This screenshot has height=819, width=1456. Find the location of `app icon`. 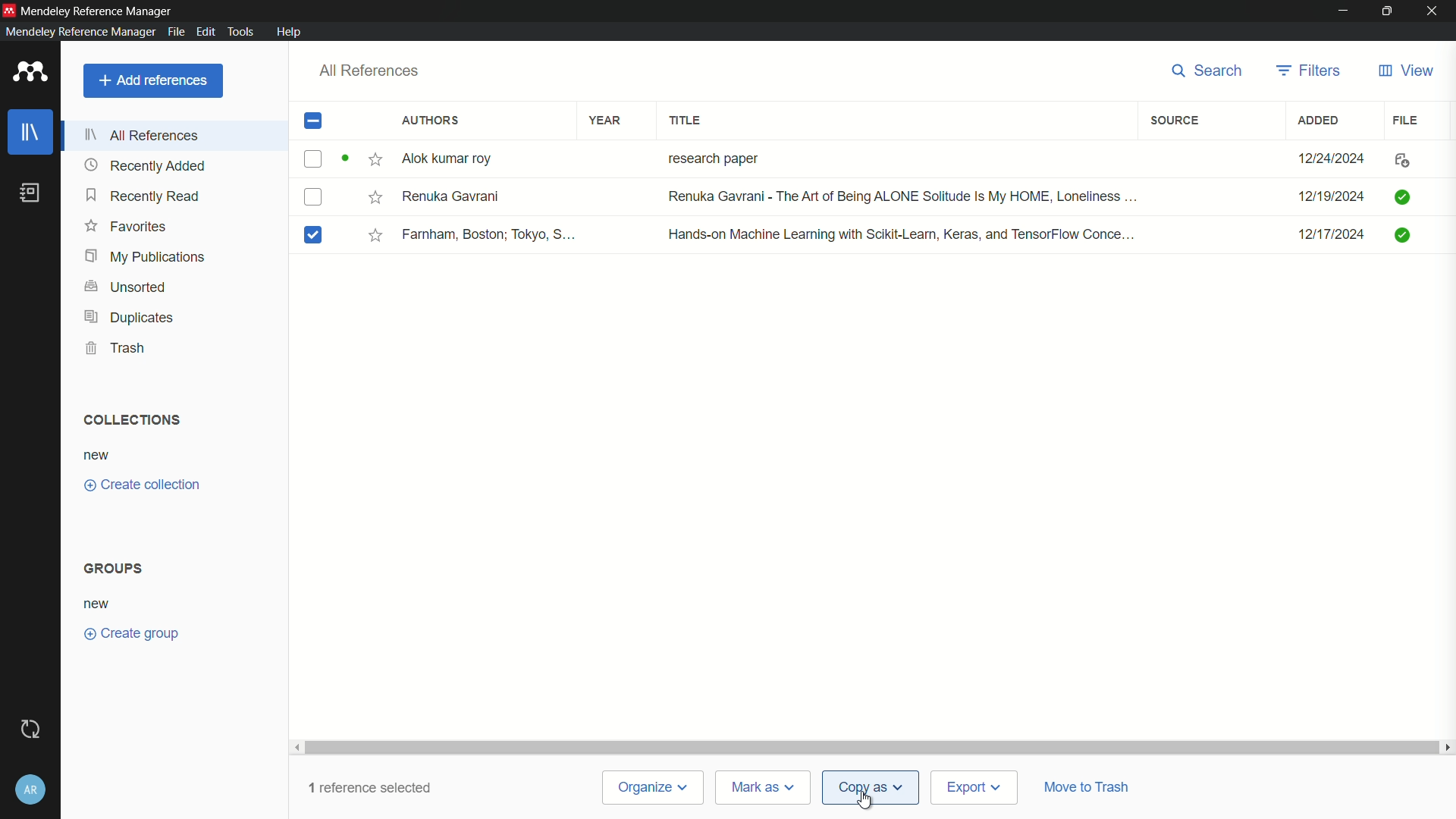

app icon is located at coordinates (9, 9).